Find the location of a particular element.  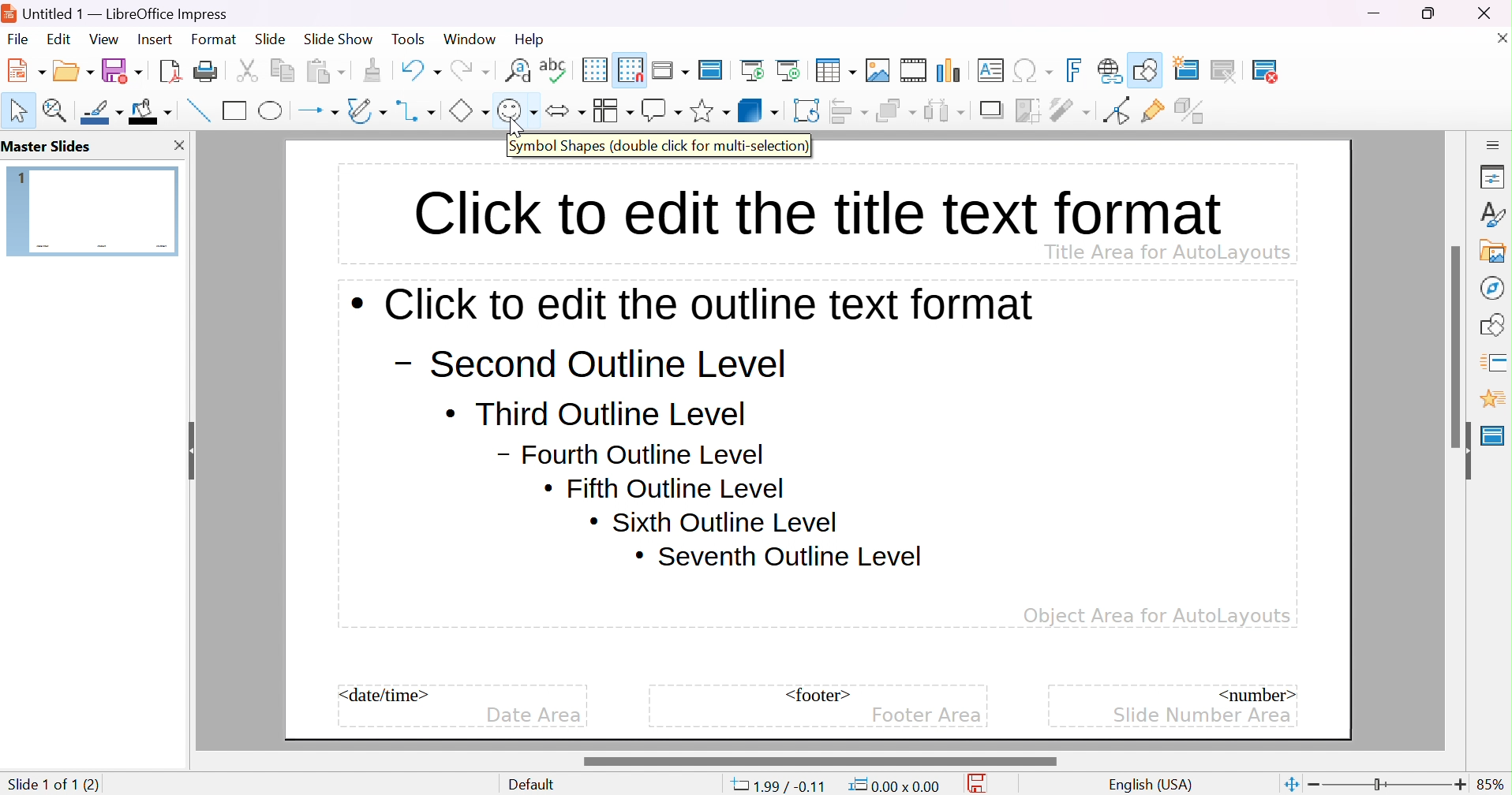

third outline level is located at coordinates (596, 412).